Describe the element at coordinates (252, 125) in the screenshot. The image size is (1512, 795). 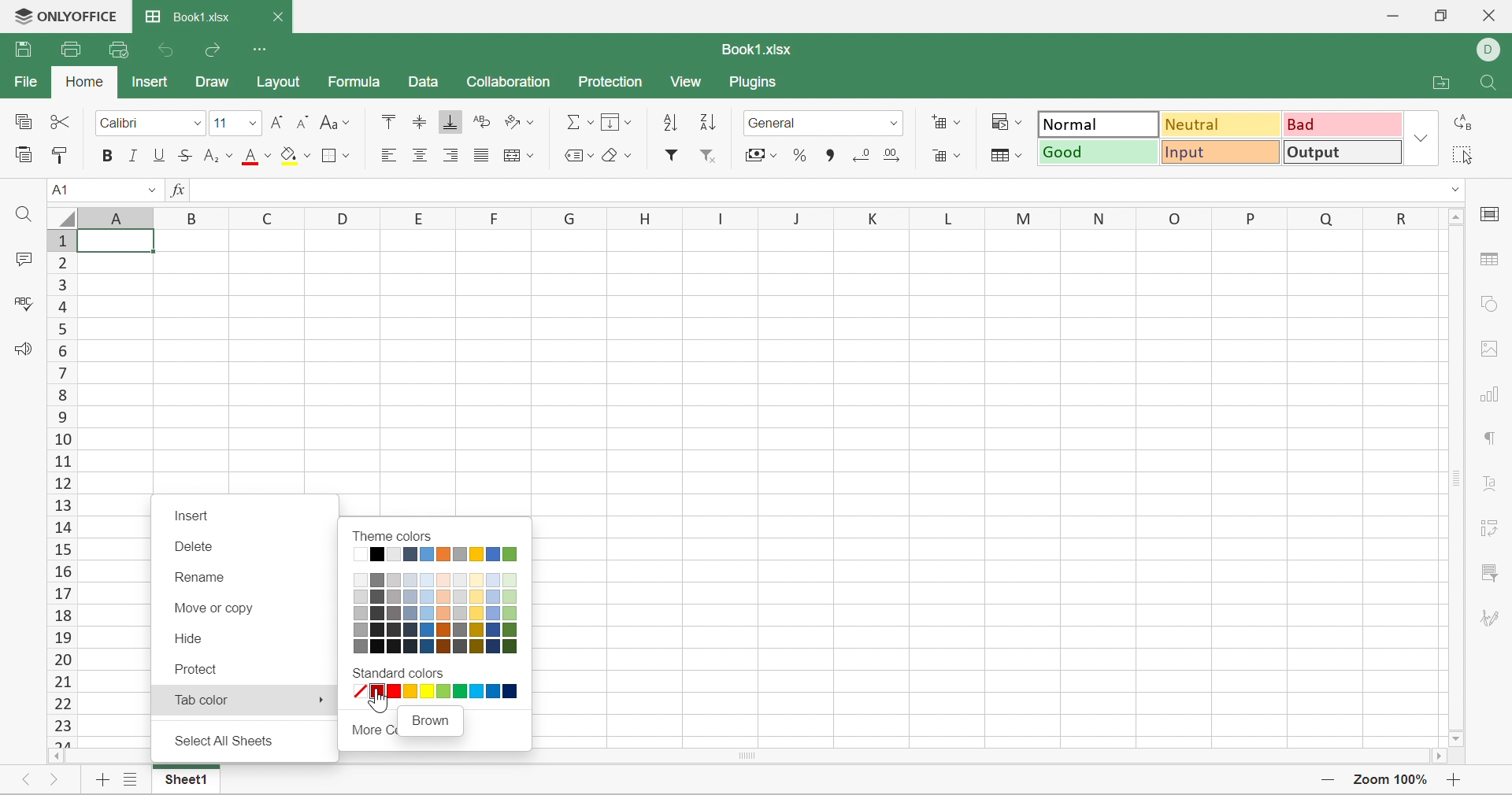
I see `Fonts dropdown` at that location.